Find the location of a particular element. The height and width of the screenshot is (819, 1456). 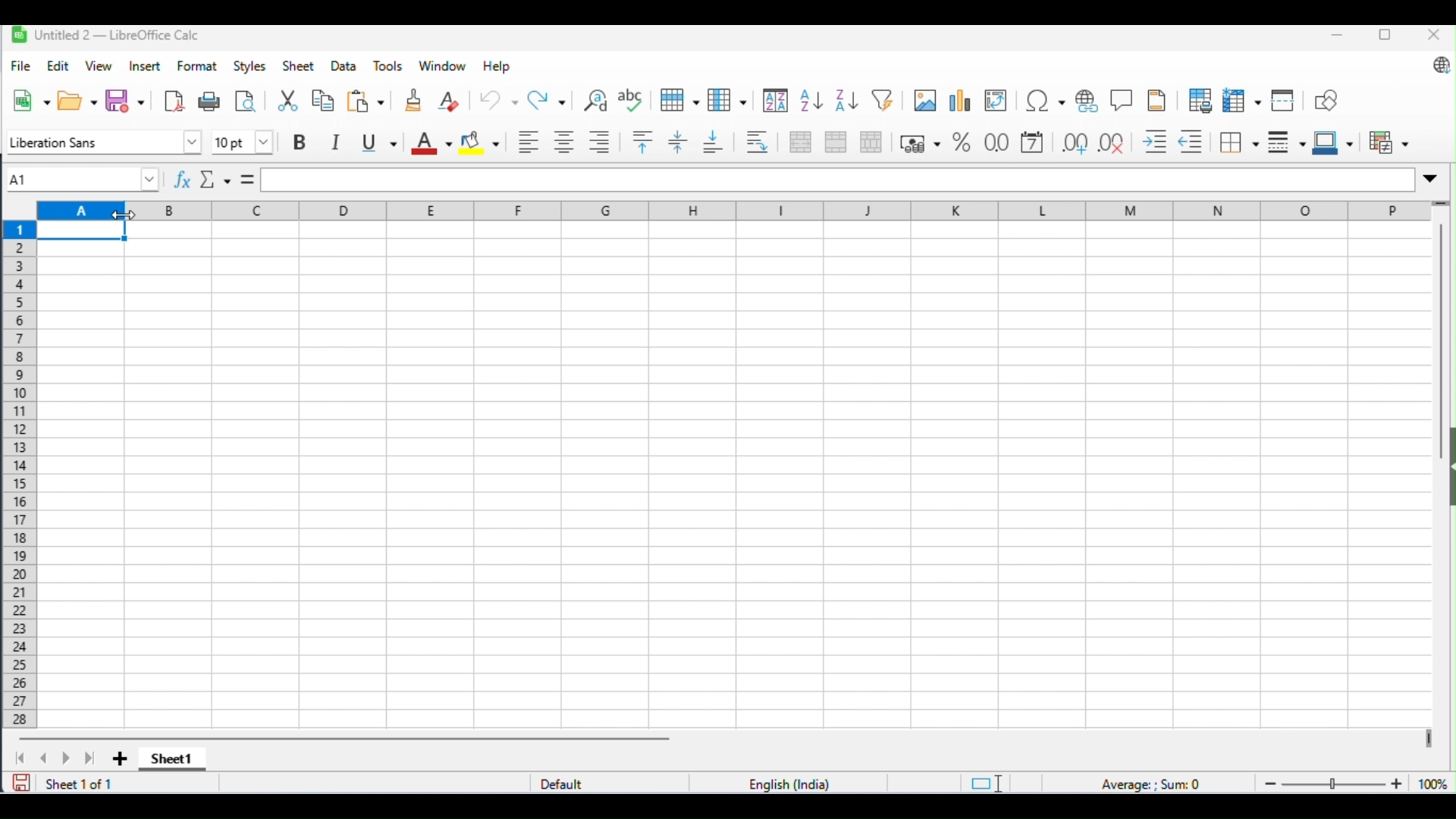

print is located at coordinates (211, 101).